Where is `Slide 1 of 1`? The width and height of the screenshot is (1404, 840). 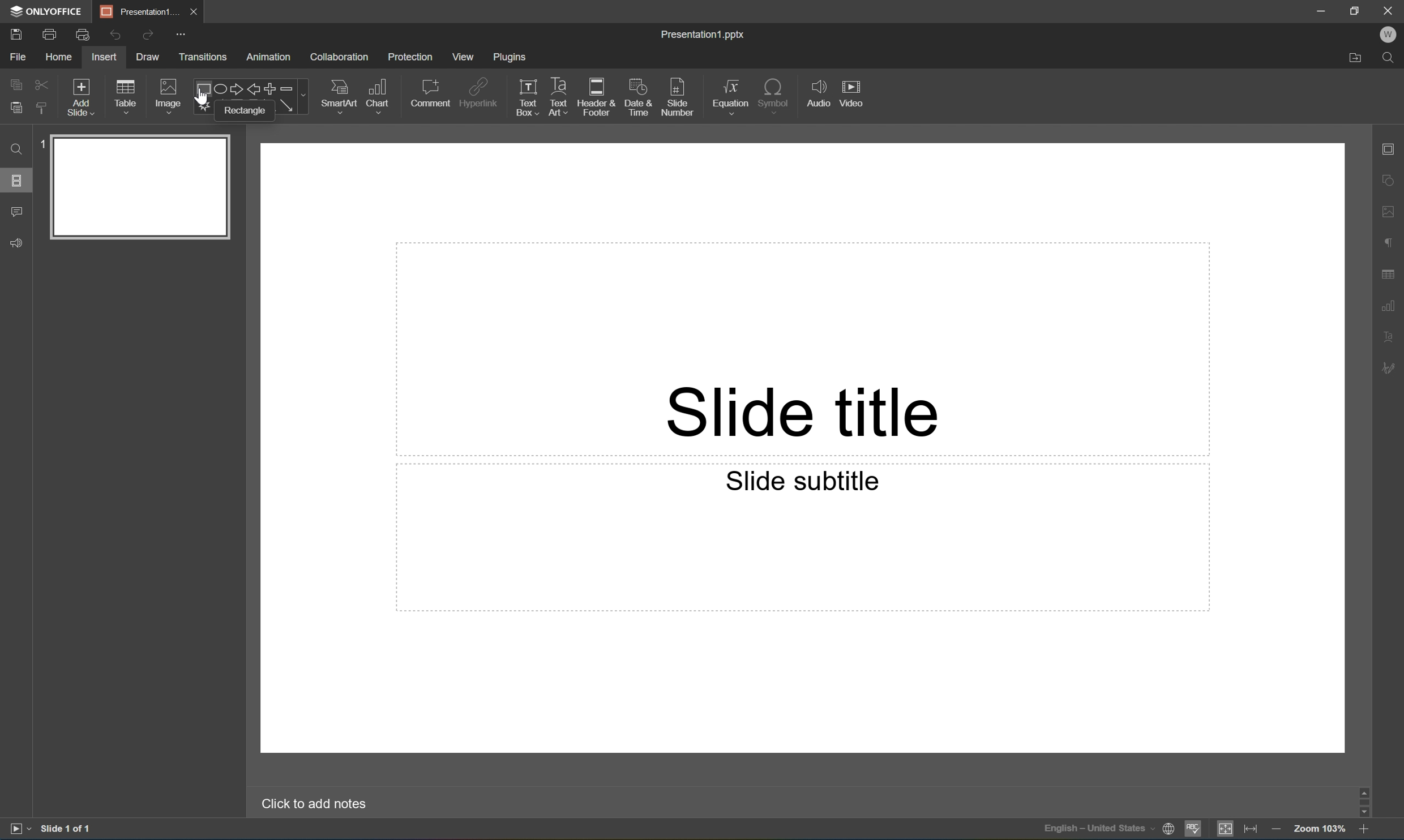
Slide 1 of 1 is located at coordinates (67, 828).